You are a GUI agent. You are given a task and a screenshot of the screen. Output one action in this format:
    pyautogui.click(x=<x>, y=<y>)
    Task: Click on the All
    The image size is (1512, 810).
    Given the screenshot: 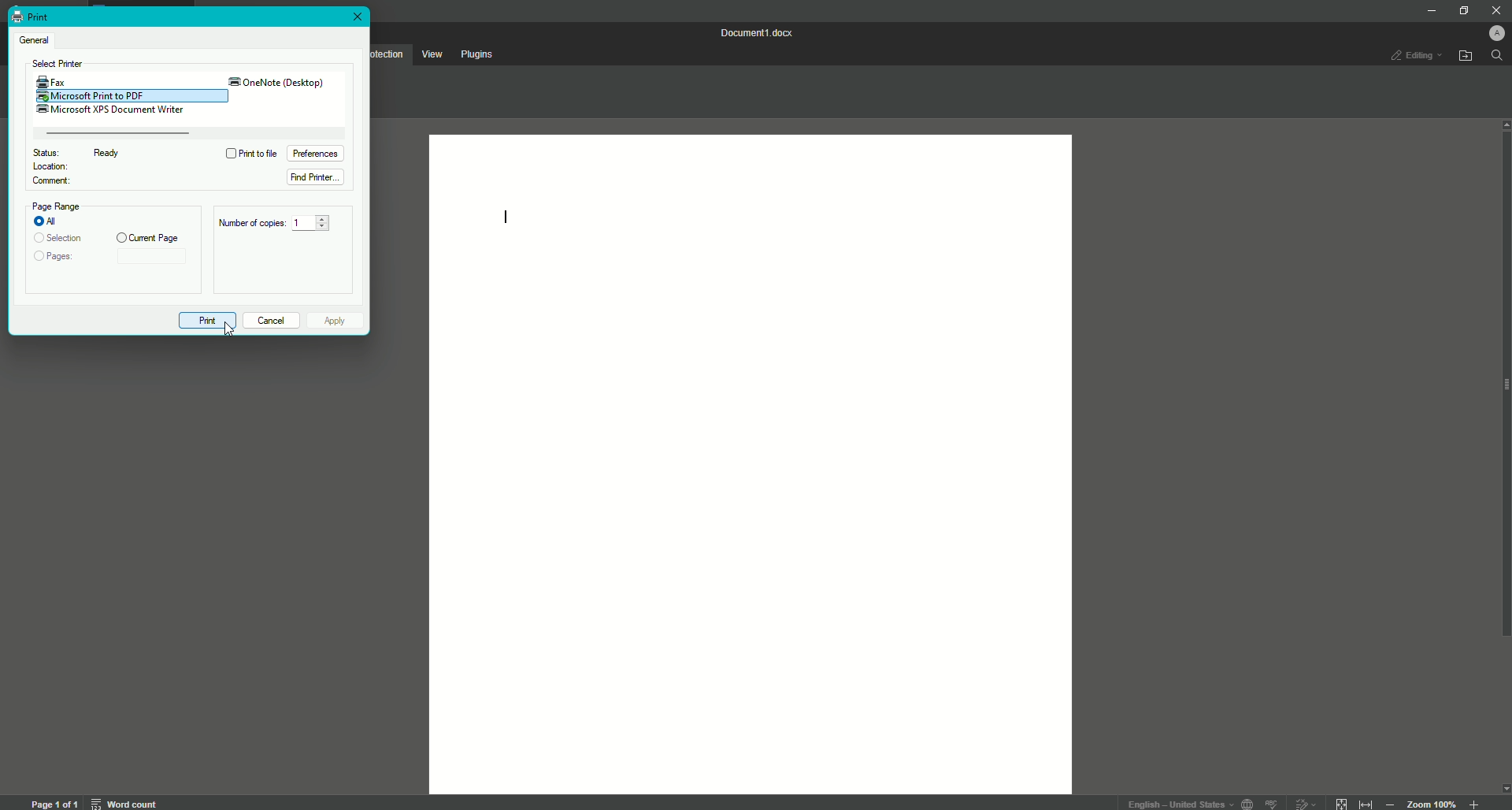 What is the action you would take?
    pyautogui.click(x=48, y=219)
    